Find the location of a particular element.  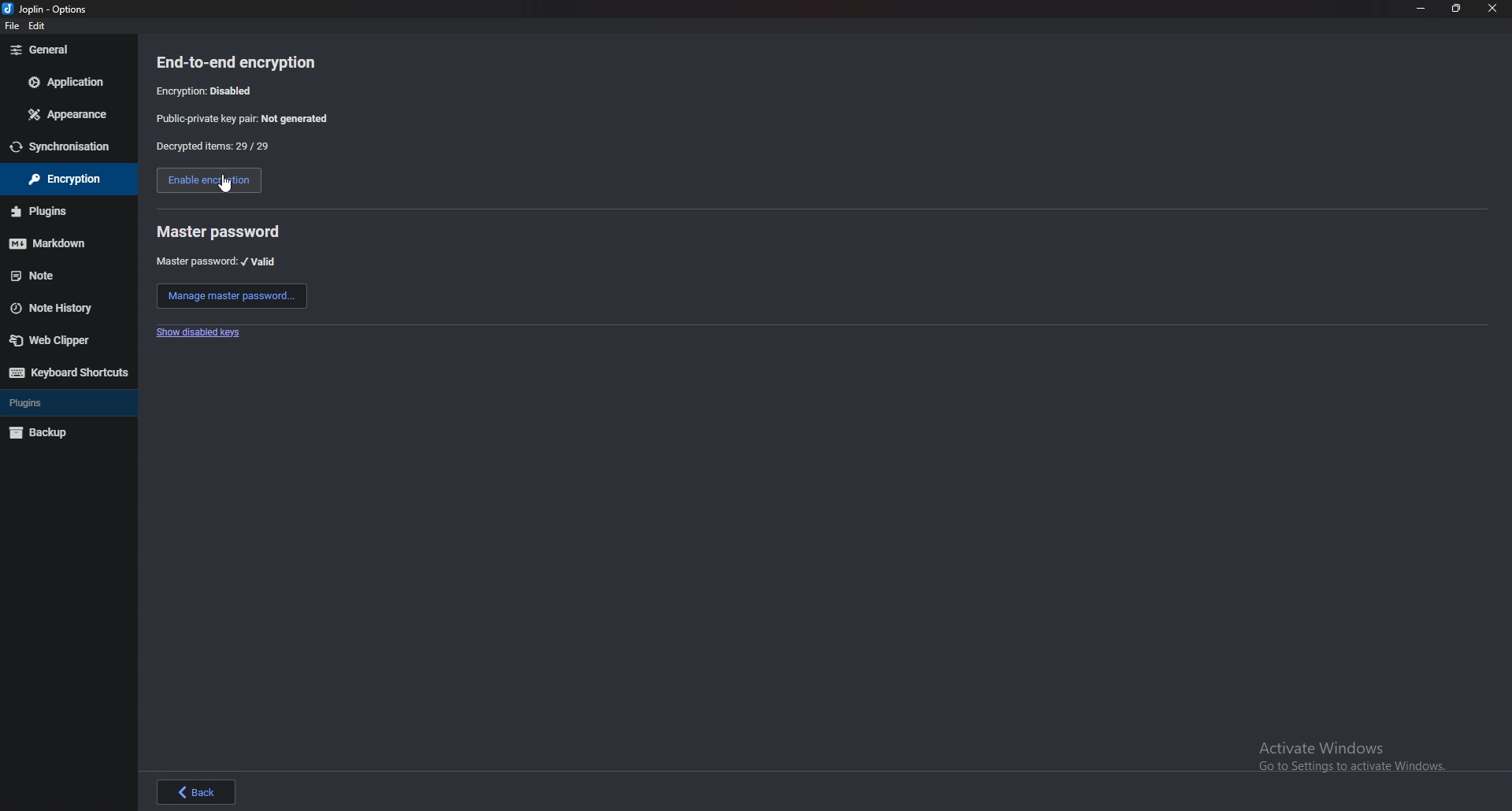

 is located at coordinates (58, 147).